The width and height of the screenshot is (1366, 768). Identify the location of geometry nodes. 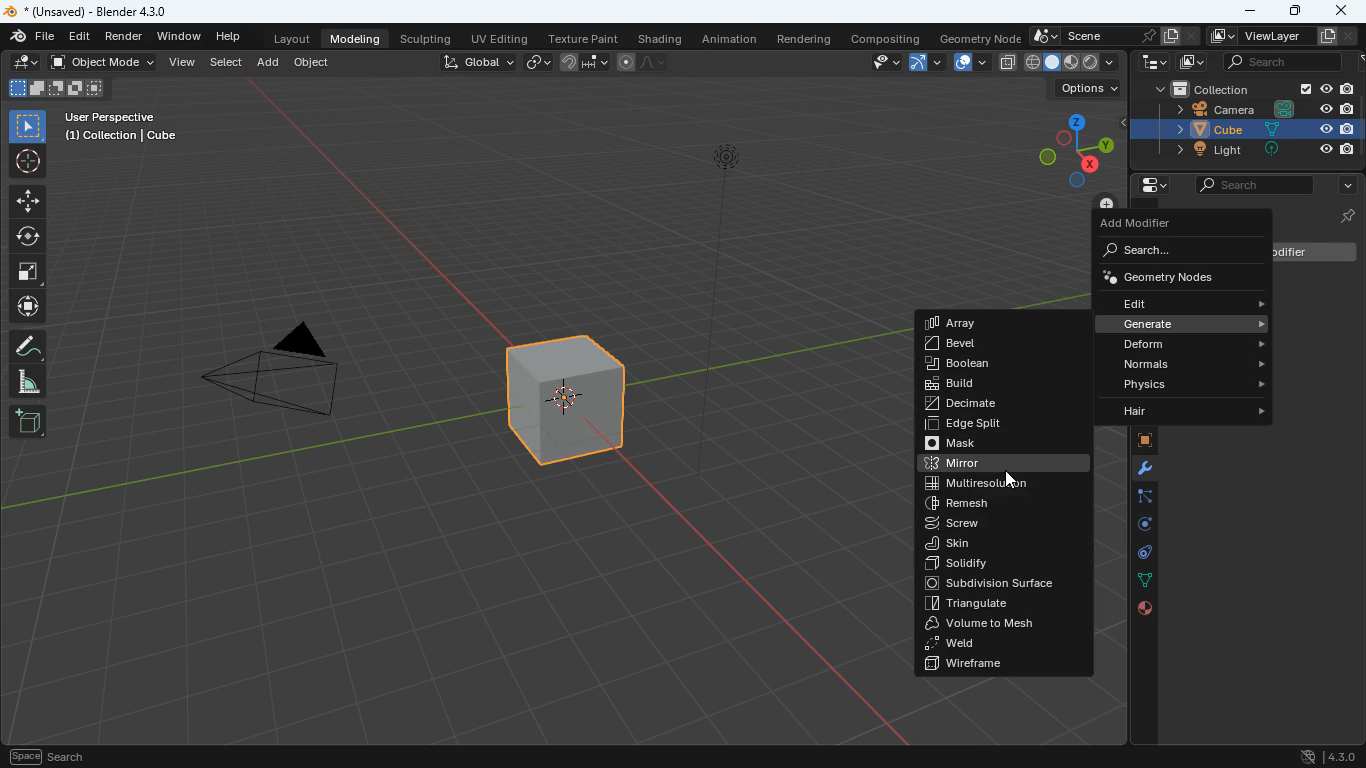
(1175, 276).